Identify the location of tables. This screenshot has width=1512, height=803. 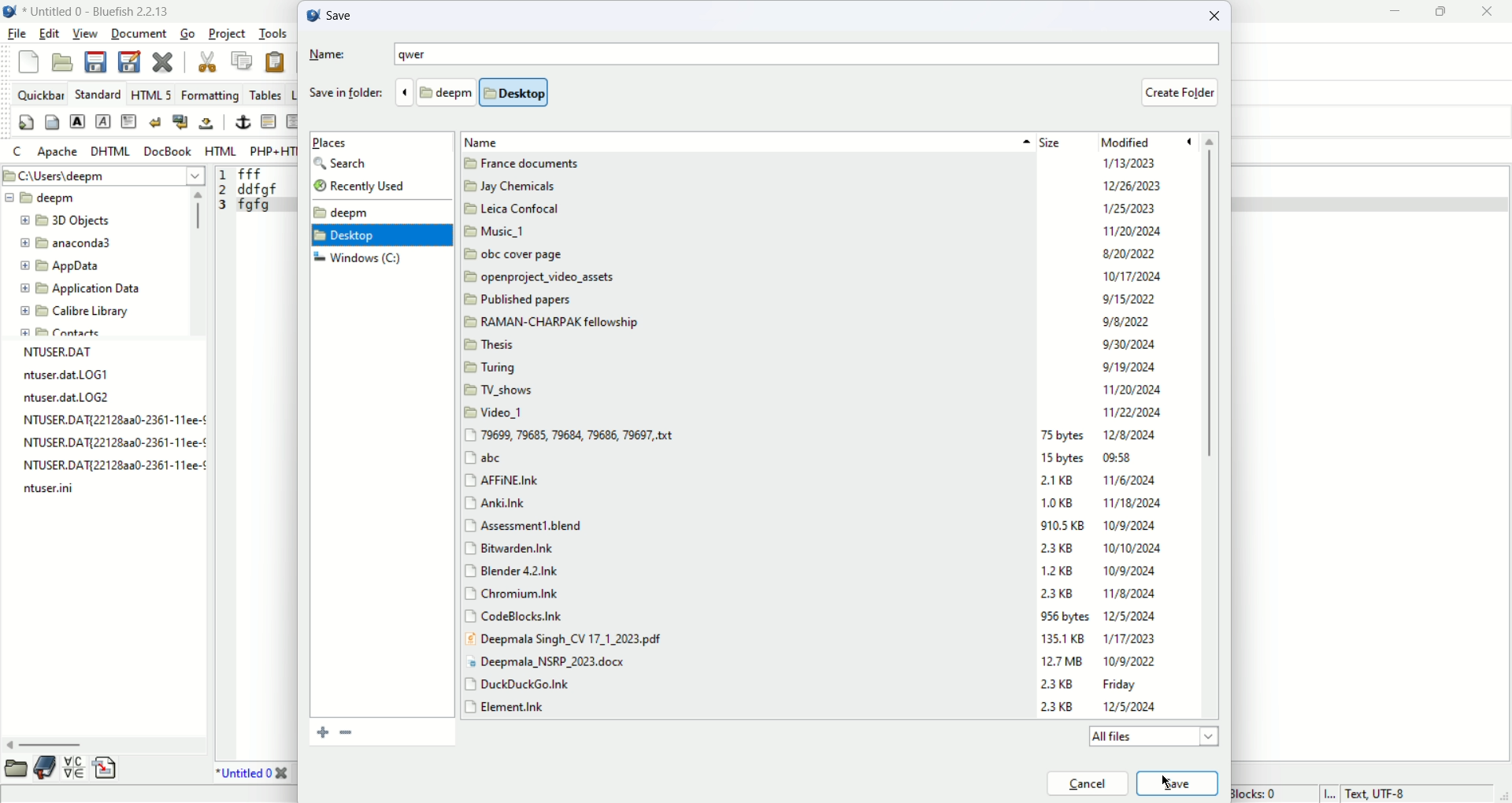
(263, 94).